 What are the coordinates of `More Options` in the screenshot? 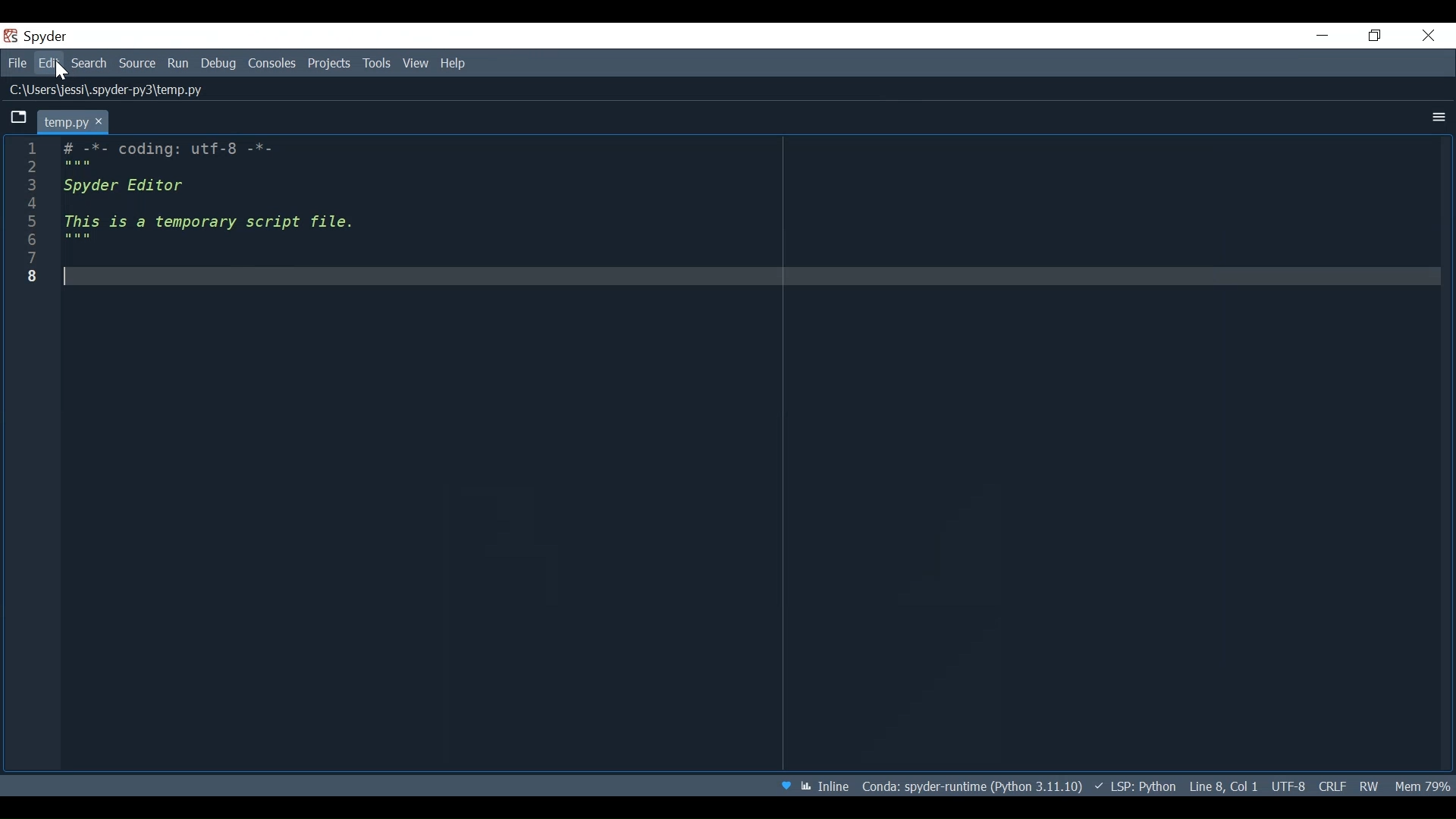 It's located at (1436, 117).